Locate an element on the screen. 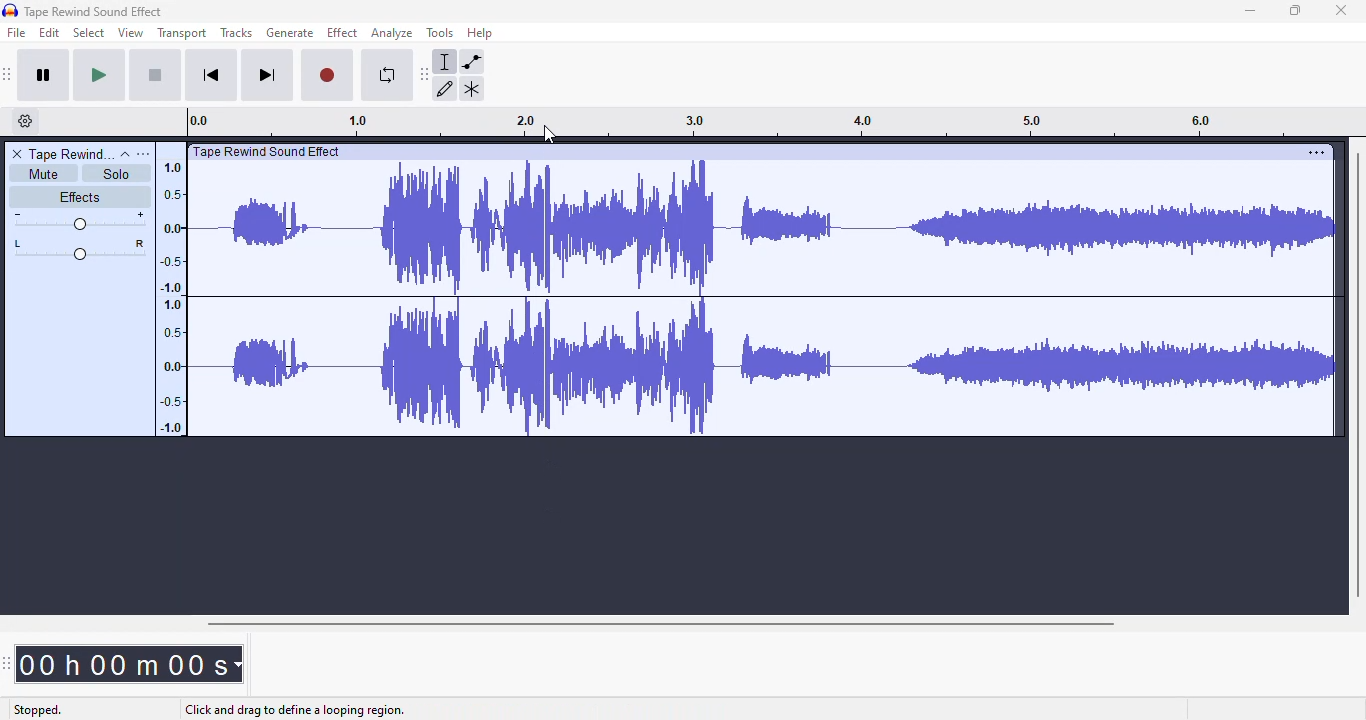  view is located at coordinates (131, 33).